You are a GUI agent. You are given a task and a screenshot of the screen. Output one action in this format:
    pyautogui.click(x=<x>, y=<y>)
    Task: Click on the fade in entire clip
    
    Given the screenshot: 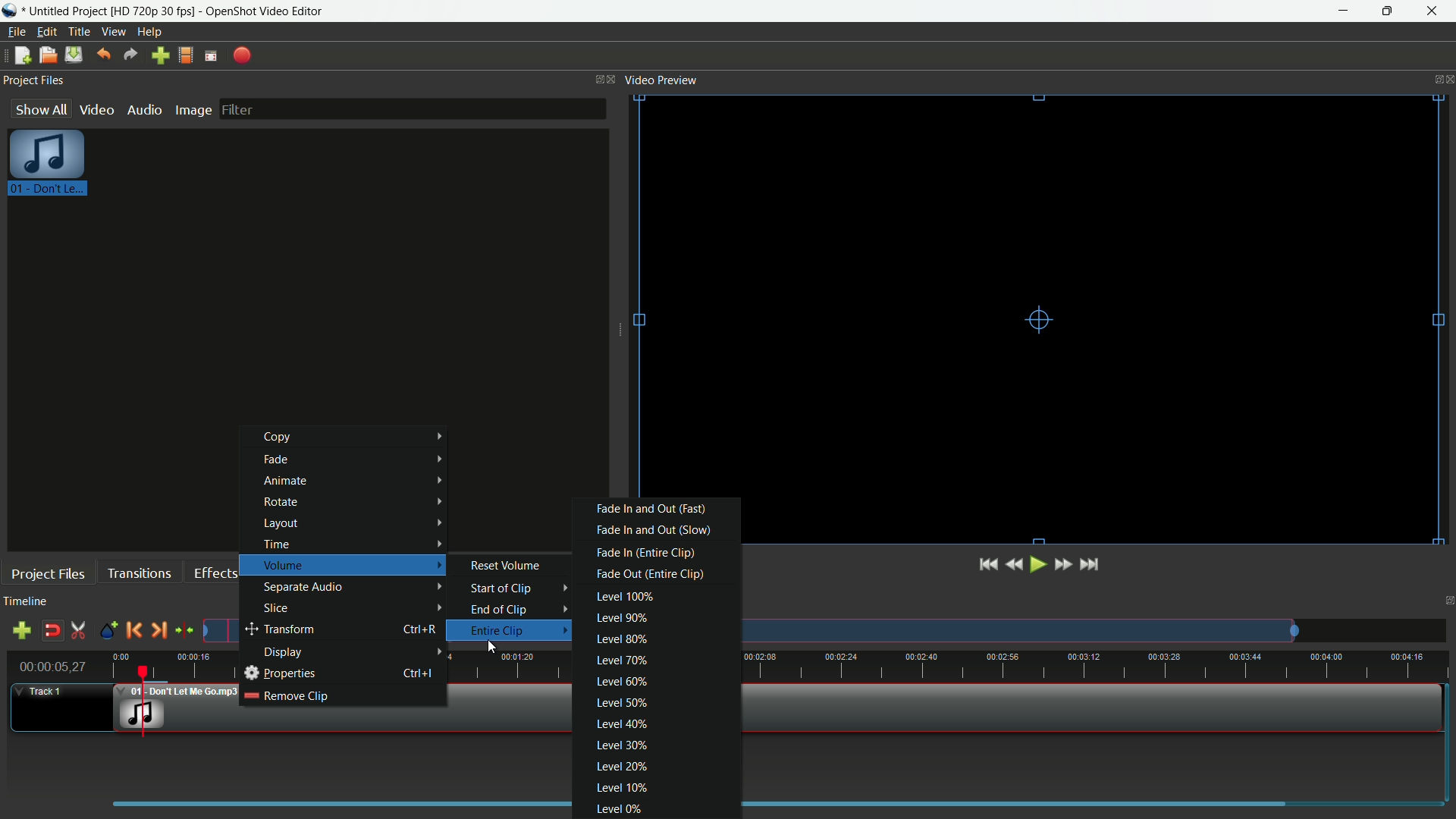 What is the action you would take?
    pyautogui.click(x=643, y=552)
    